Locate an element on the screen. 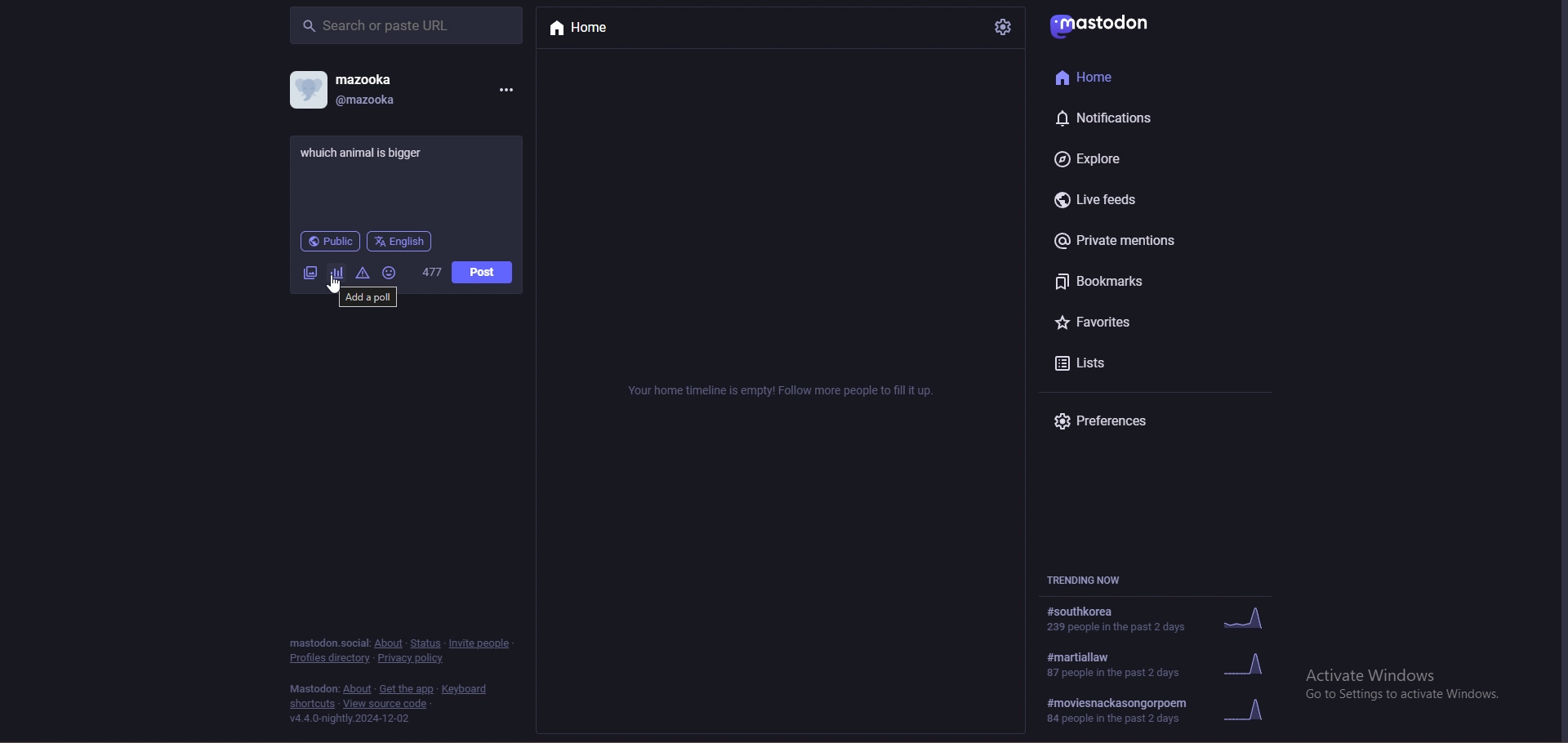  mastodon is located at coordinates (314, 689).